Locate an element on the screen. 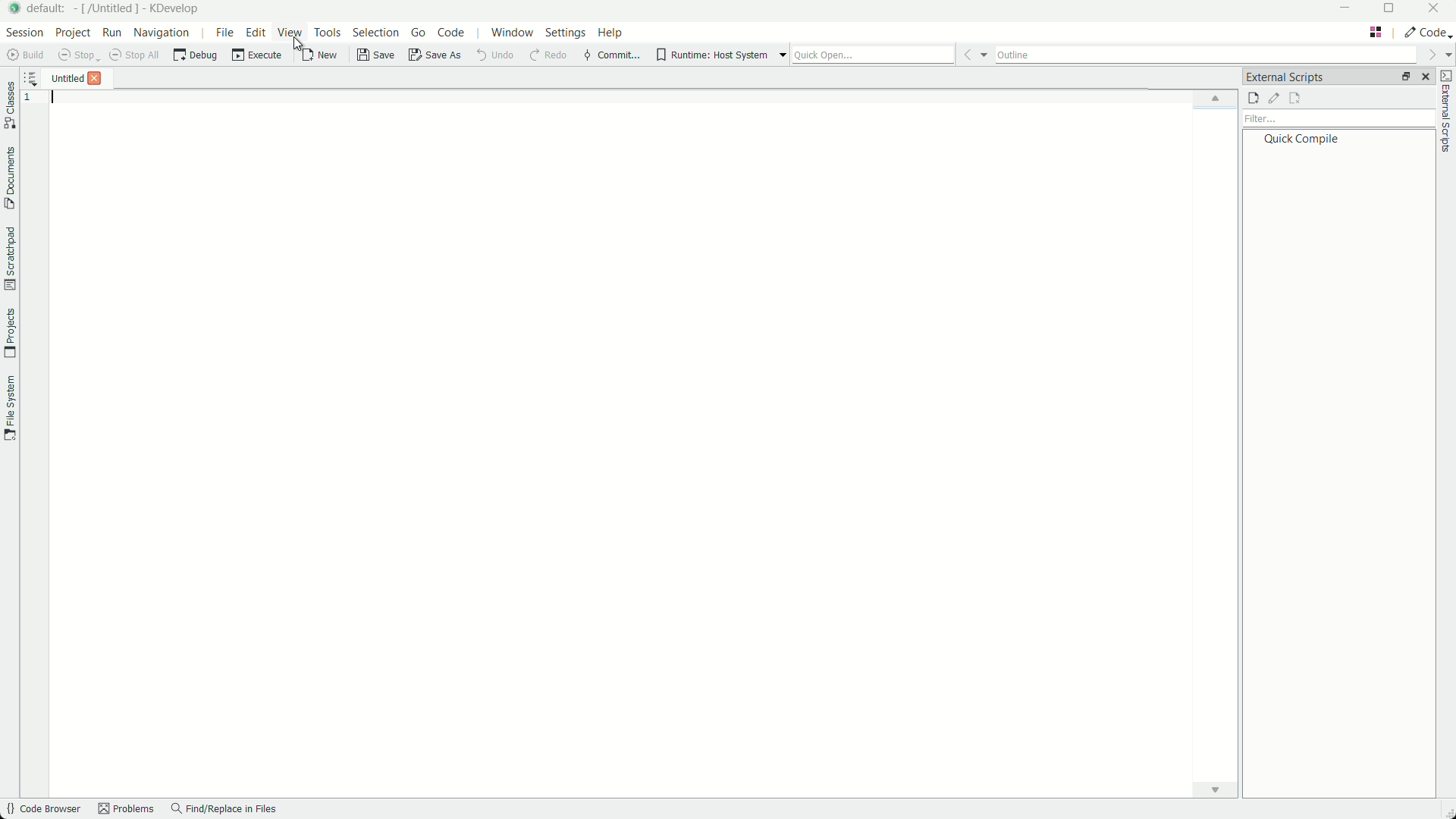 This screenshot has width=1456, height=819. quick compile is located at coordinates (1300, 140).